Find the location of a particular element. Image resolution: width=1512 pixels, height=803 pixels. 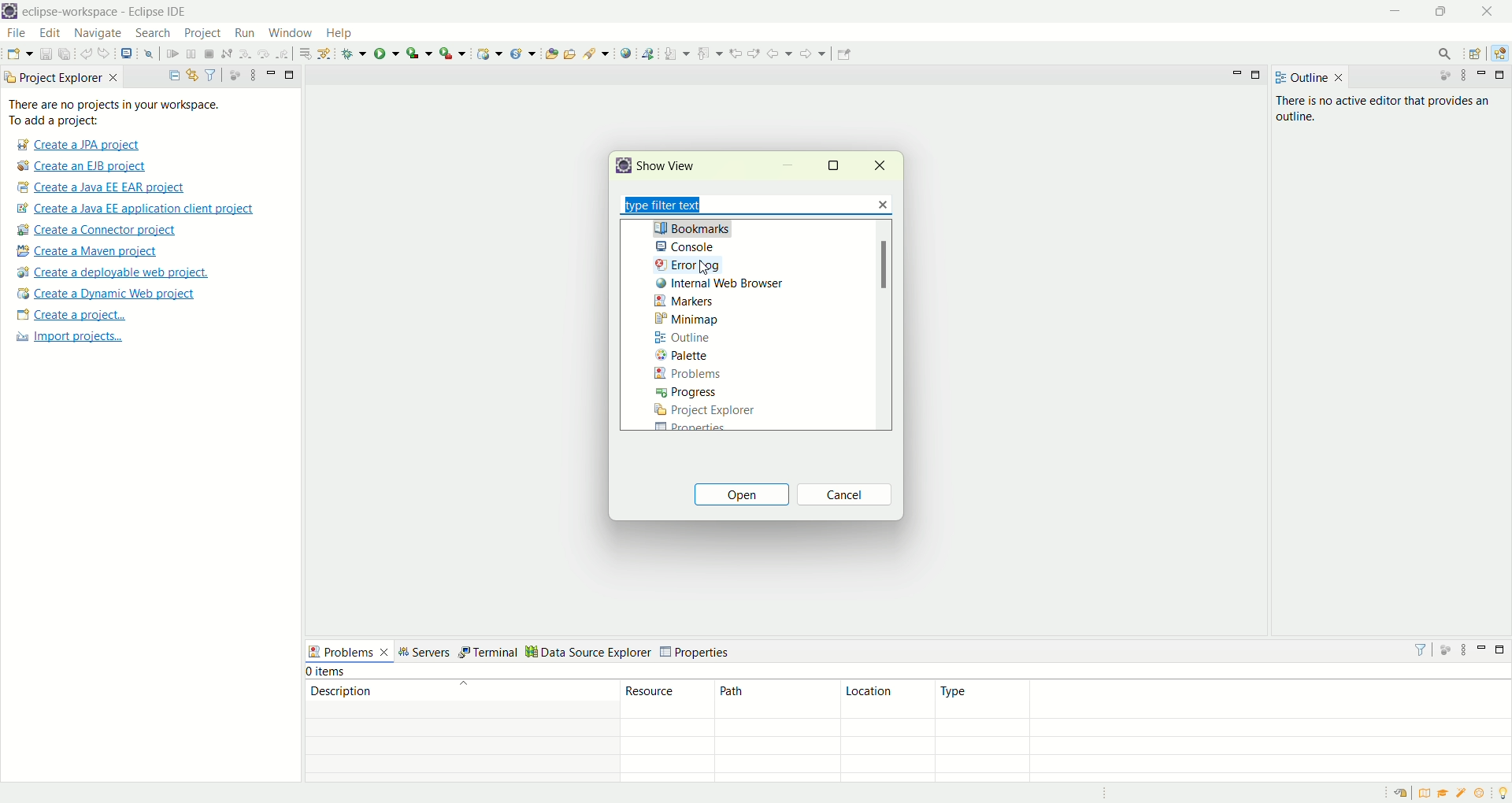

filter is located at coordinates (1422, 649).